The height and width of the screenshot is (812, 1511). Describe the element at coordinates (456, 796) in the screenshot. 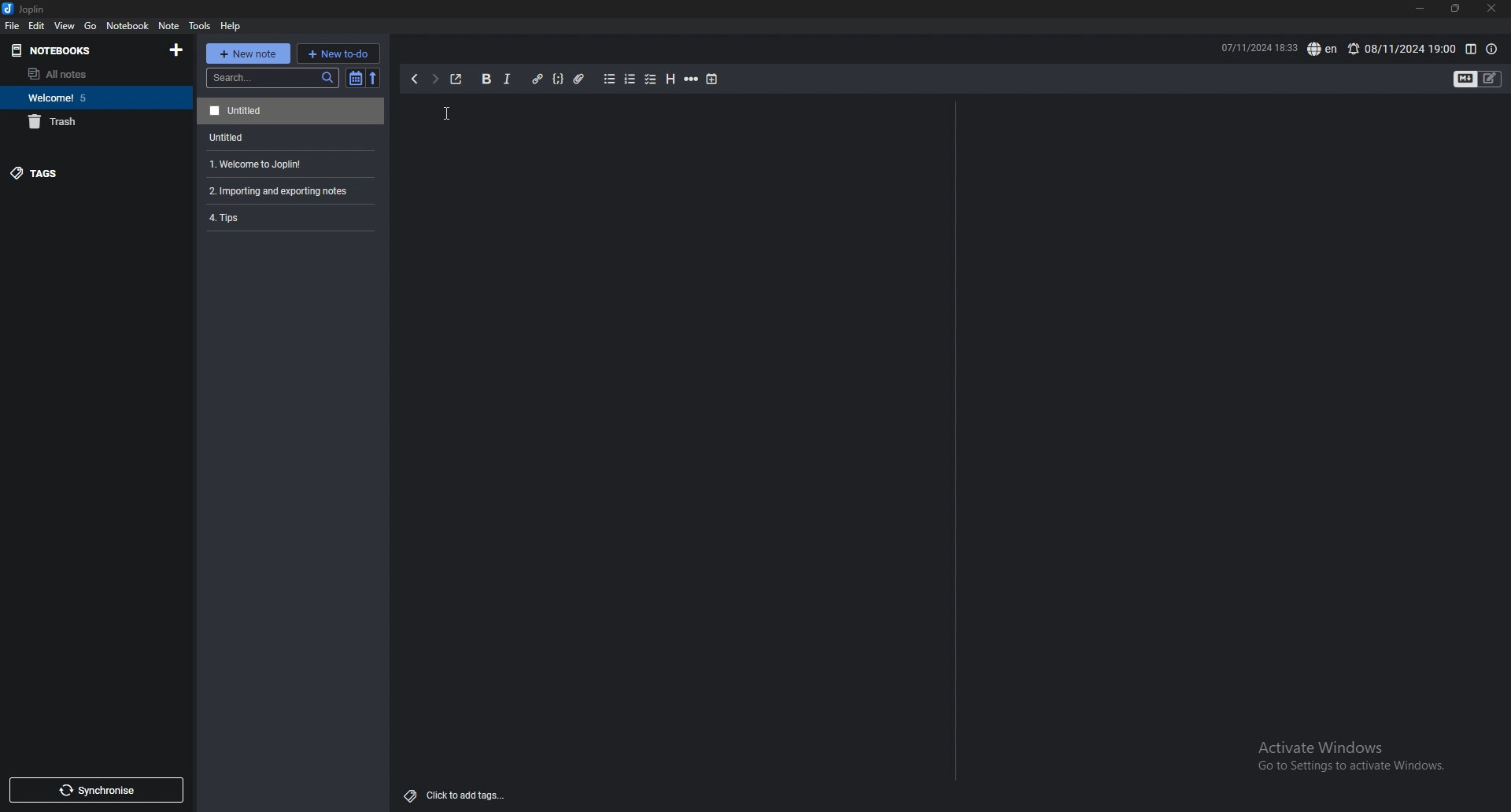

I see `add tags` at that location.